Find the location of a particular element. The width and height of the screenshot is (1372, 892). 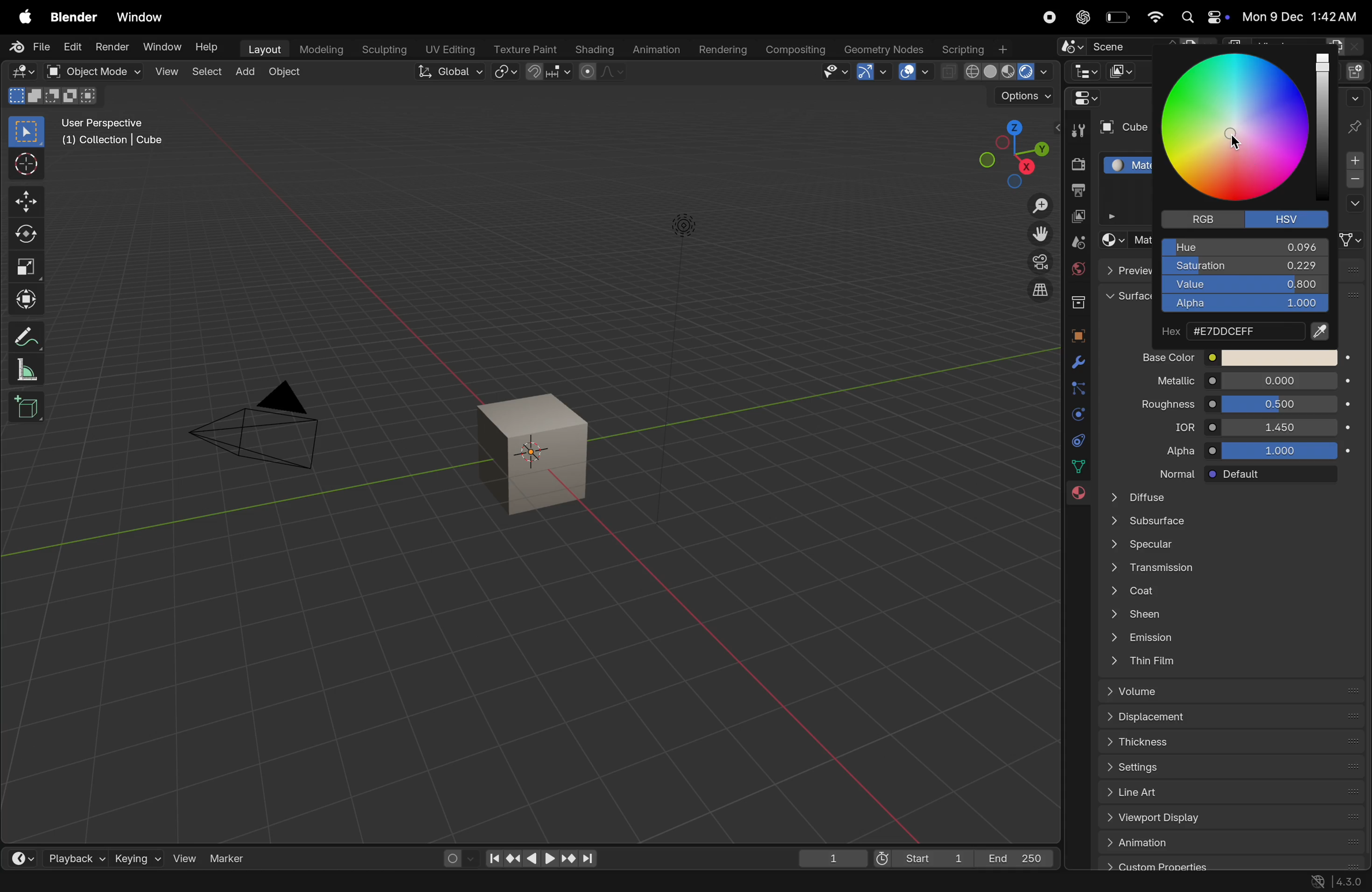

colection is located at coordinates (1076, 298).